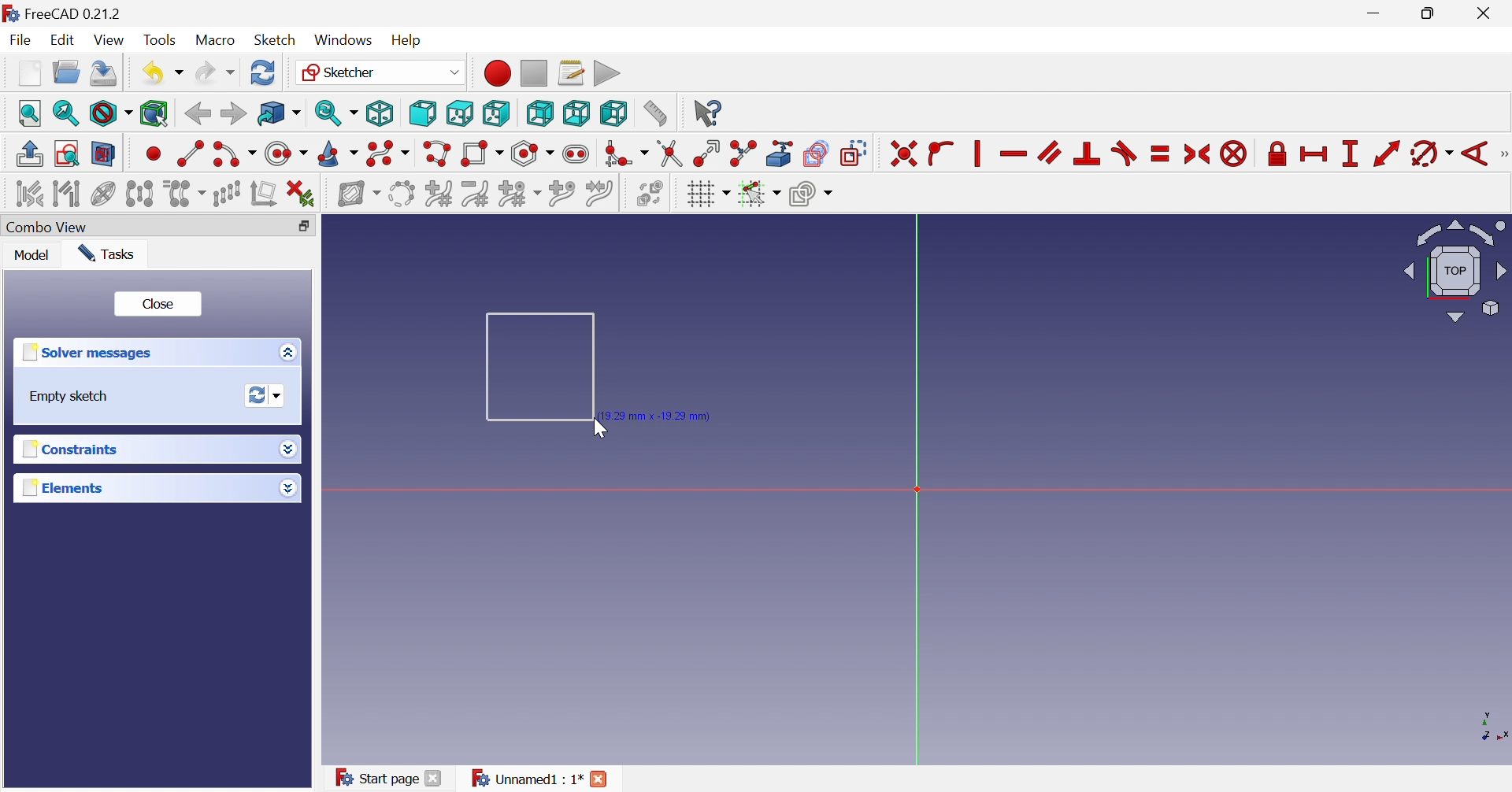  I want to click on Show/hide internal geometry, so click(102, 195).